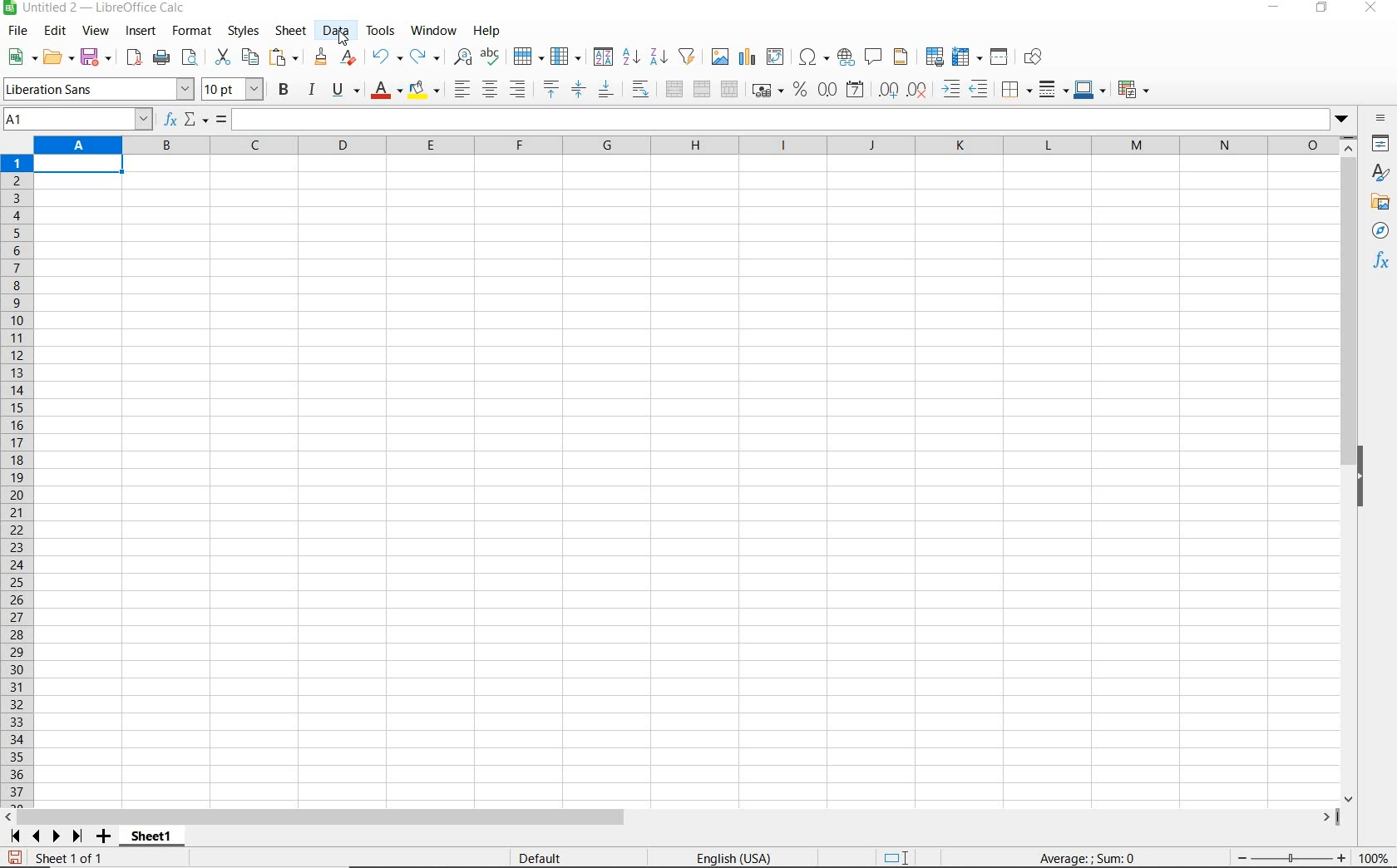 Image resolution: width=1397 pixels, height=868 pixels. I want to click on default, so click(543, 859).